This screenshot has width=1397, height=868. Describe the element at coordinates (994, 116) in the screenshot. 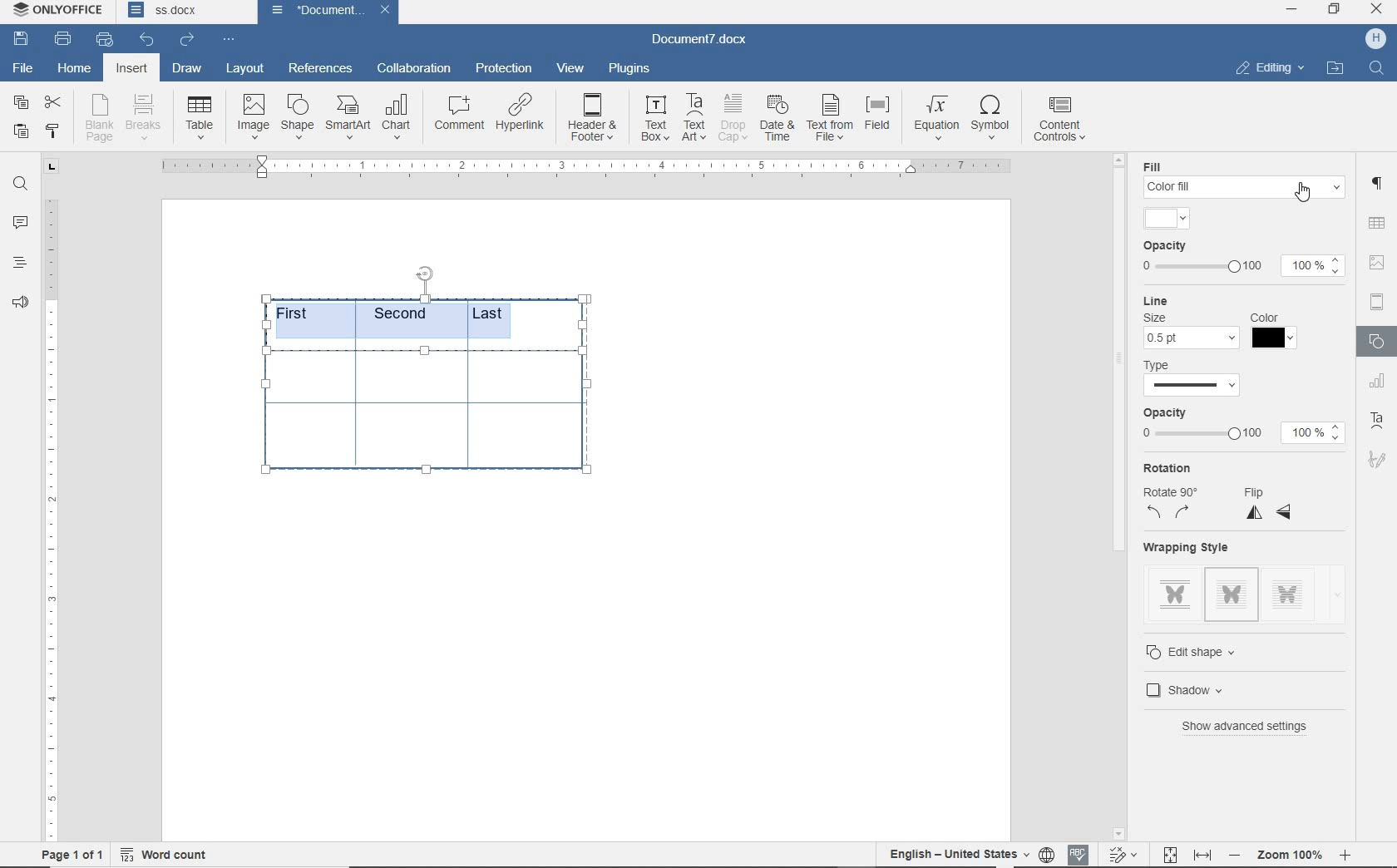

I see `symbol` at that location.